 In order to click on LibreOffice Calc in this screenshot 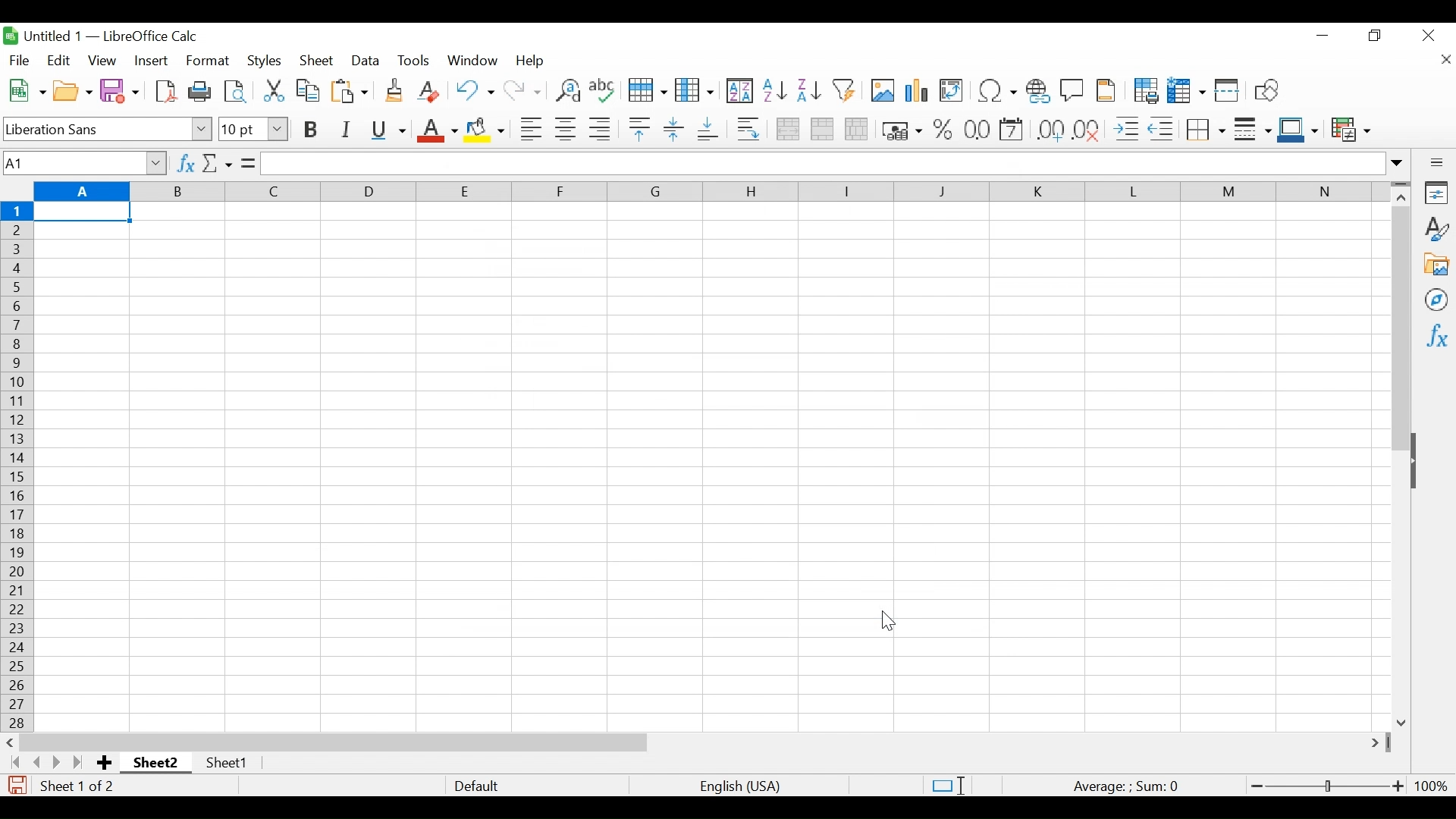, I will do `click(149, 37)`.